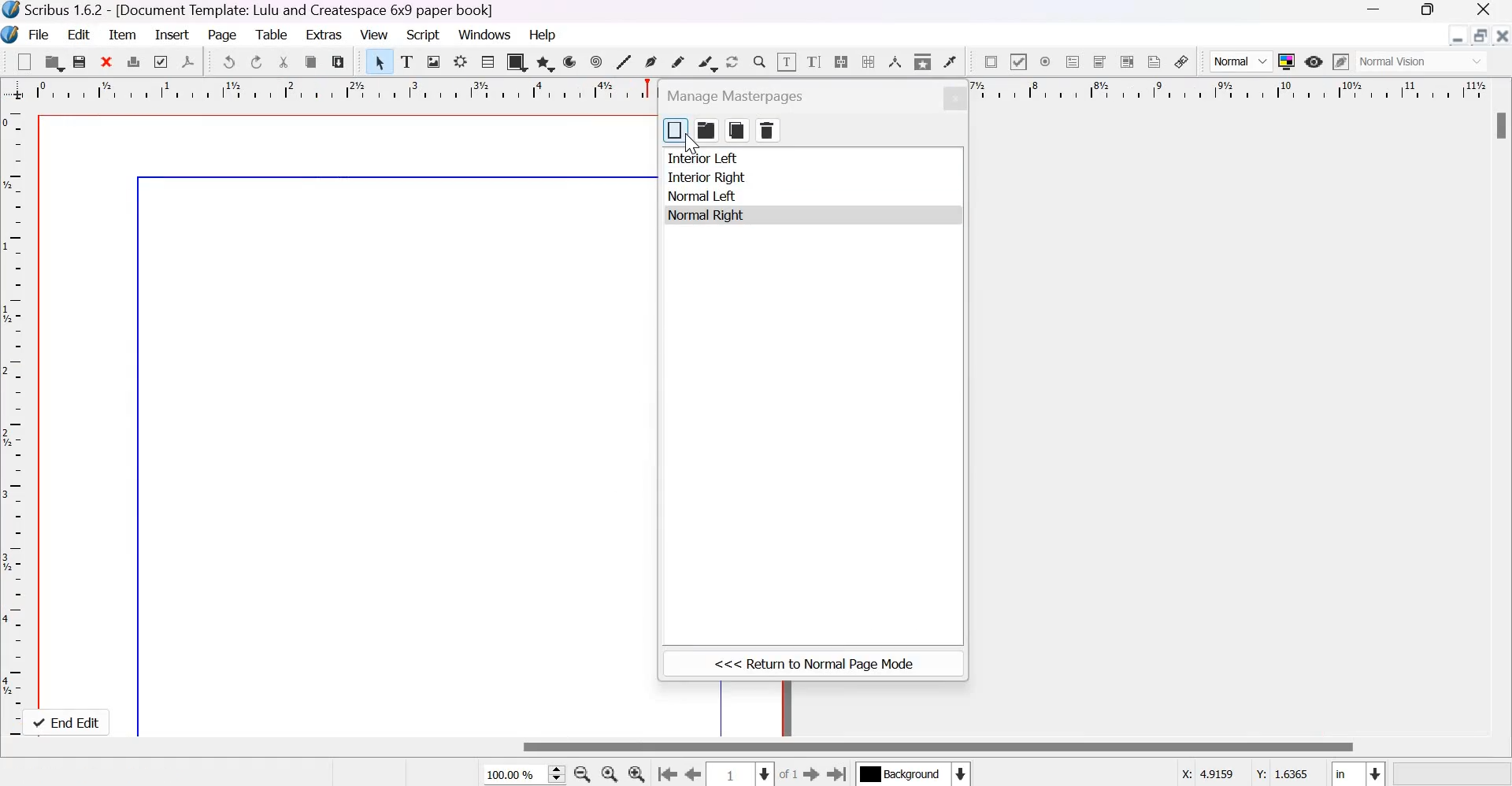 The height and width of the screenshot is (786, 1512). I want to click on Select the current page, so click(738, 774).